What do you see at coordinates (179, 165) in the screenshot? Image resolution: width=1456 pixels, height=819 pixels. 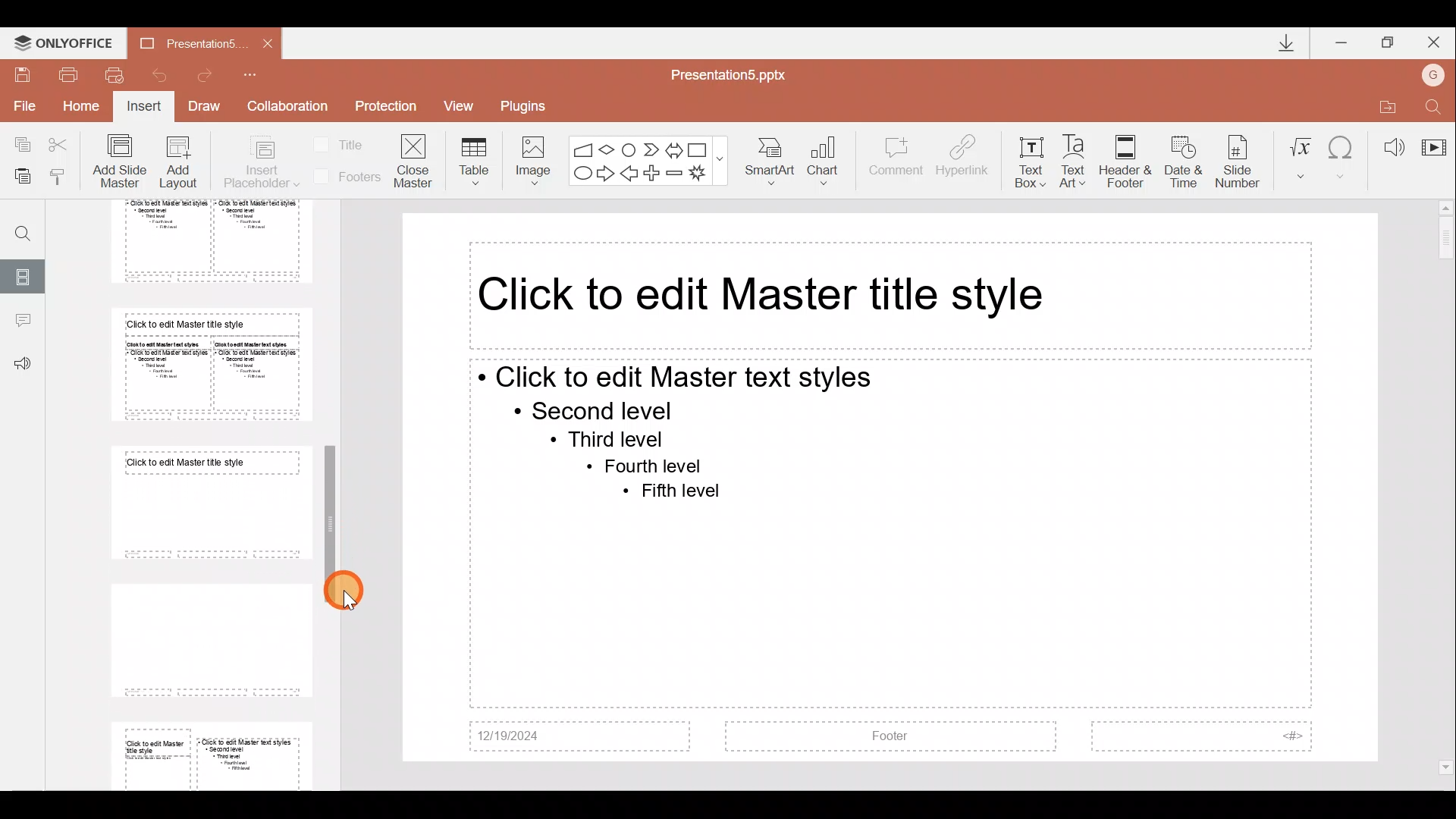 I see `Add layout` at bounding box center [179, 165].